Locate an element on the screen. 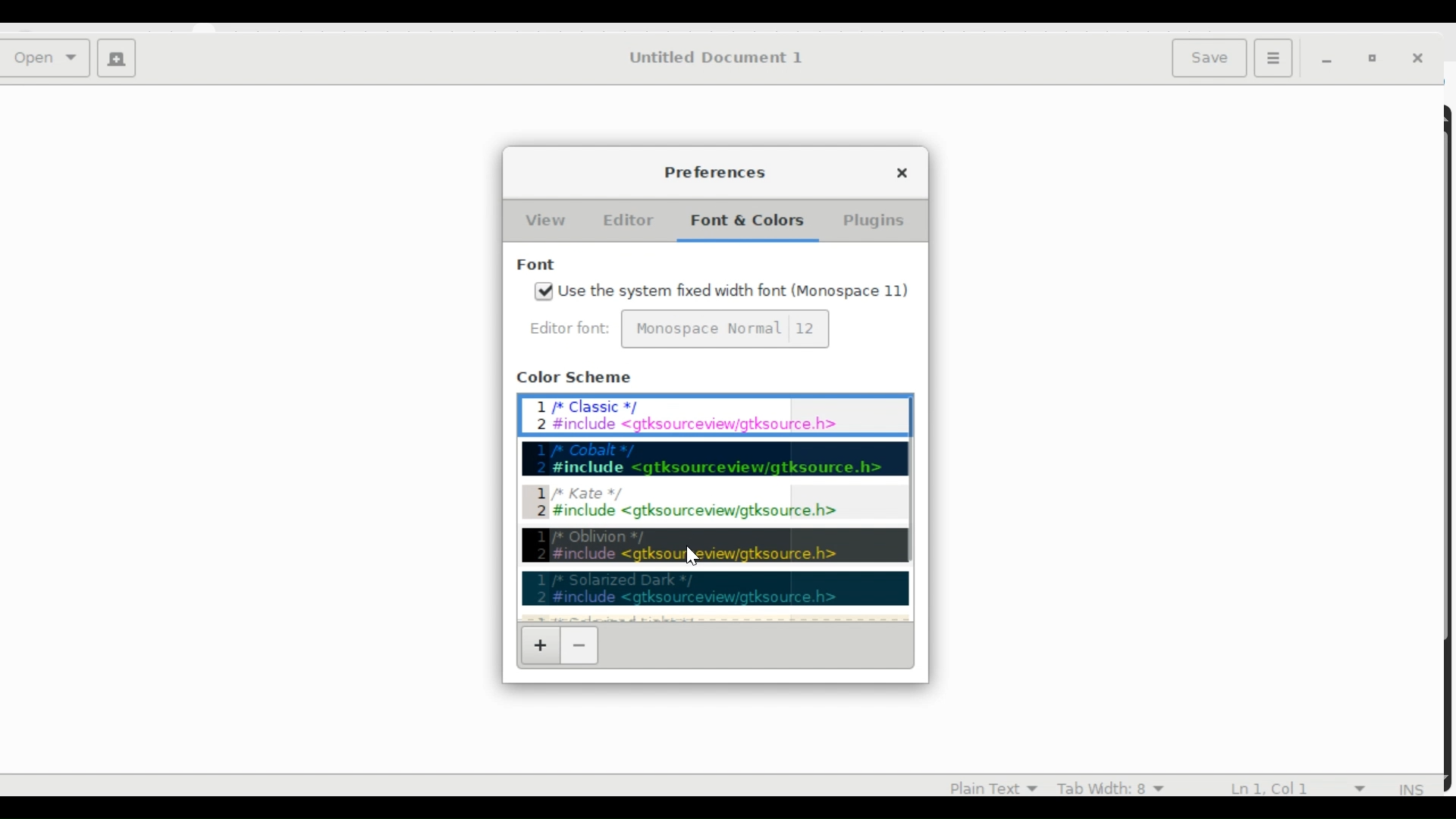 The image size is (1456, 819). Preferences is located at coordinates (713, 171).